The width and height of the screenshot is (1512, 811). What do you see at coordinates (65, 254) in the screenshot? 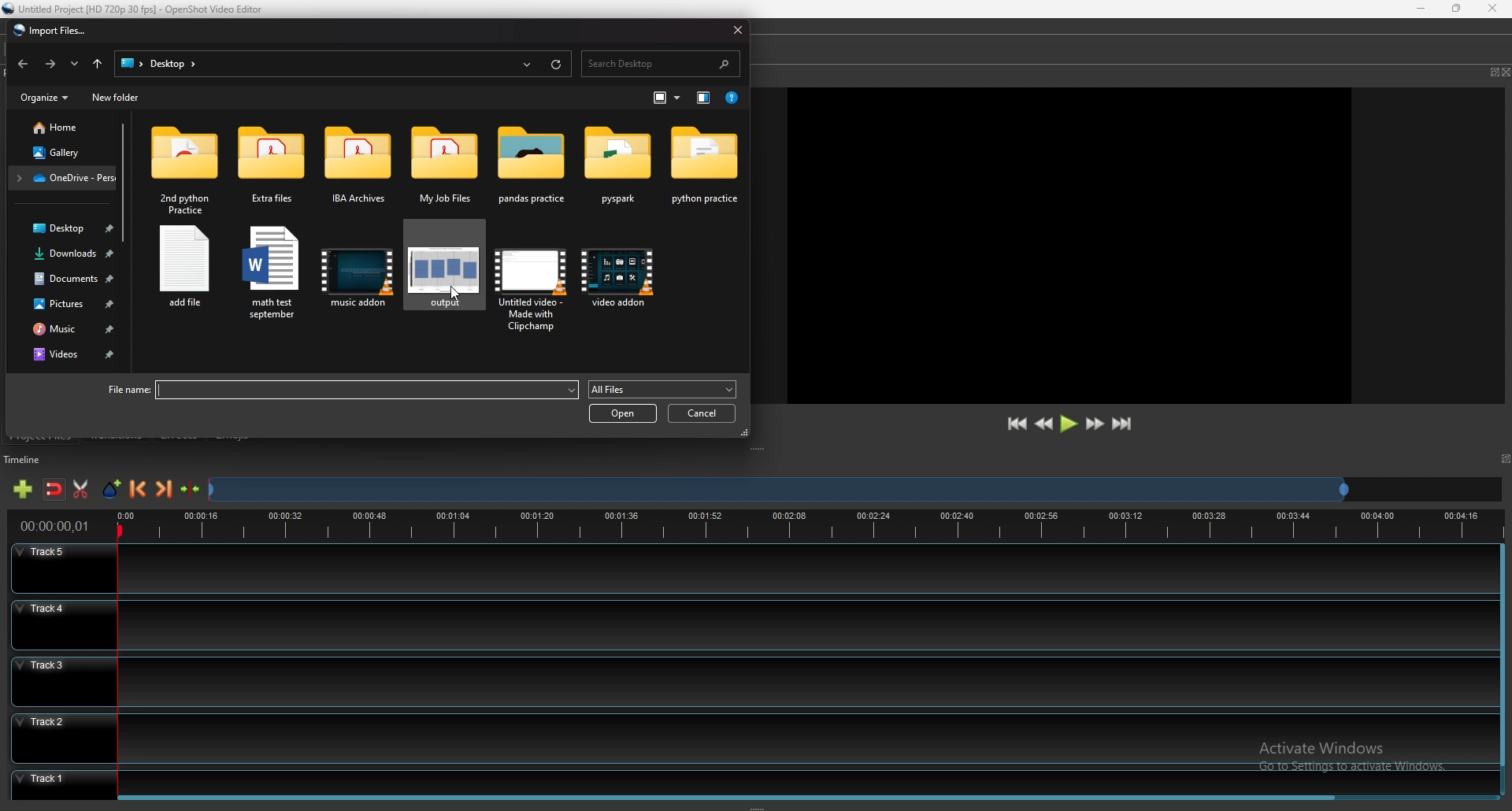
I see `downloads` at bounding box center [65, 254].